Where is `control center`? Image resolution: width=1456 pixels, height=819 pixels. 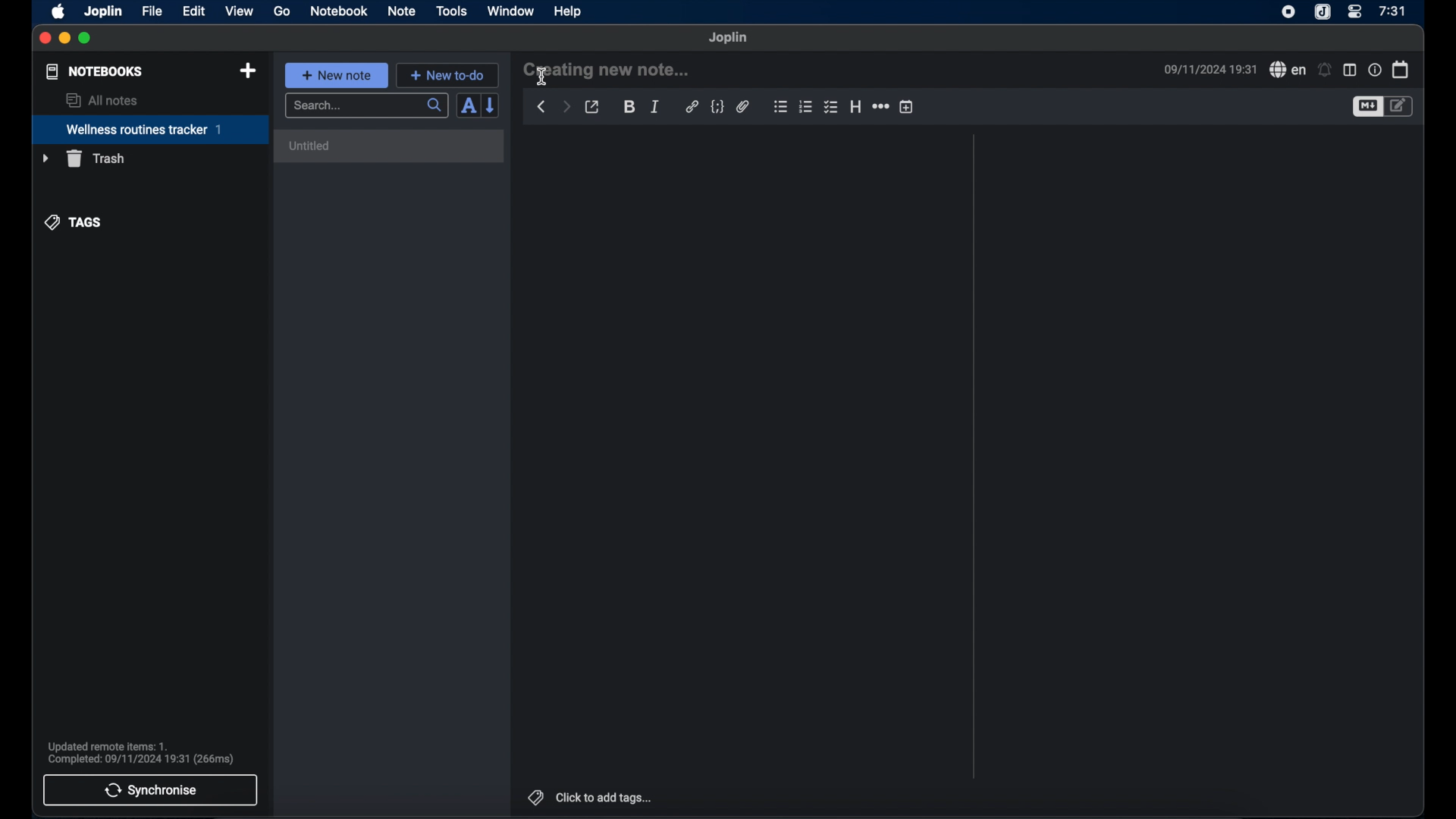 control center is located at coordinates (1355, 12).